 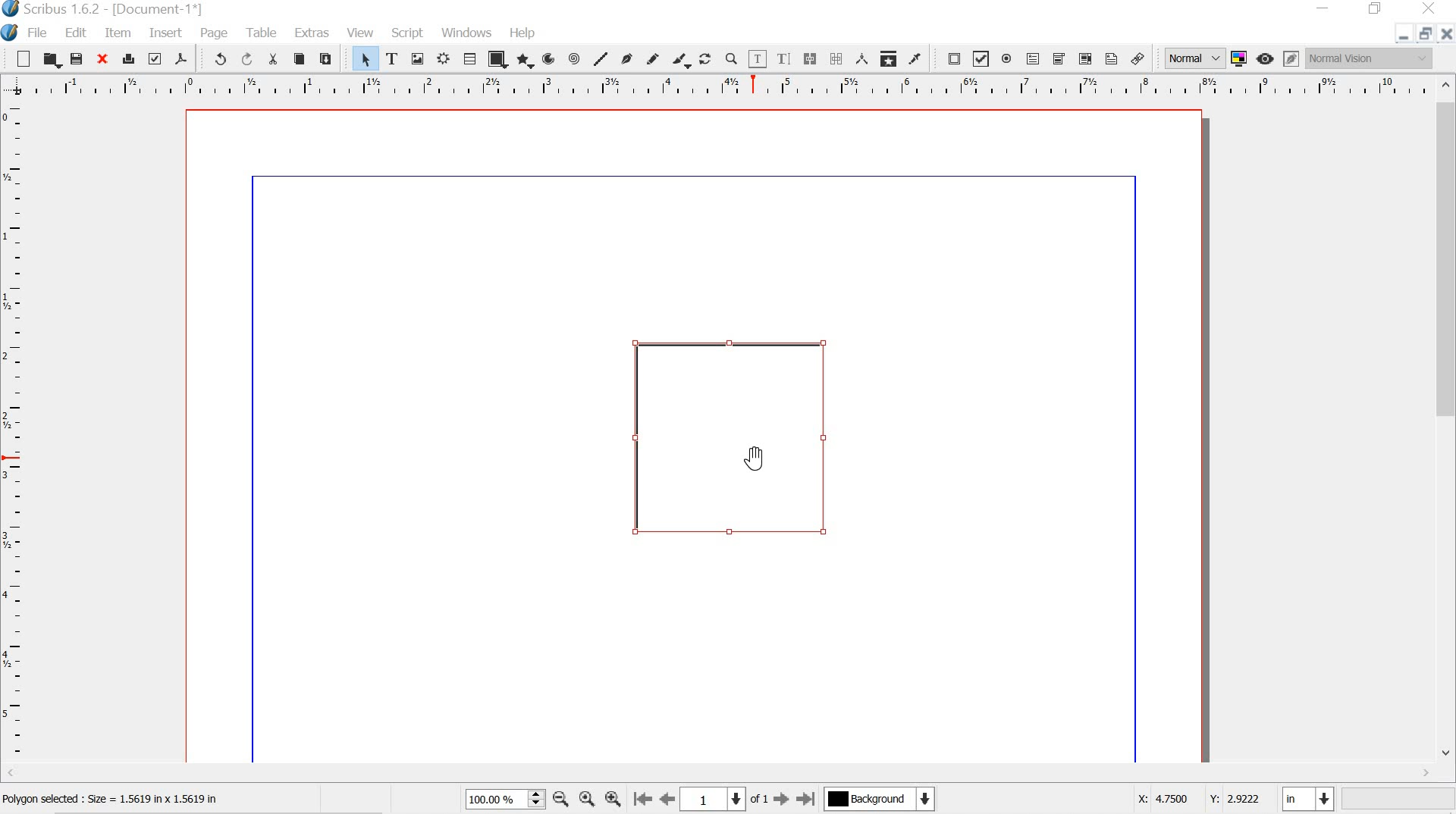 What do you see at coordinates (311, 33) in the screenshot?
I see `extras` at bounding box center [311, 33].